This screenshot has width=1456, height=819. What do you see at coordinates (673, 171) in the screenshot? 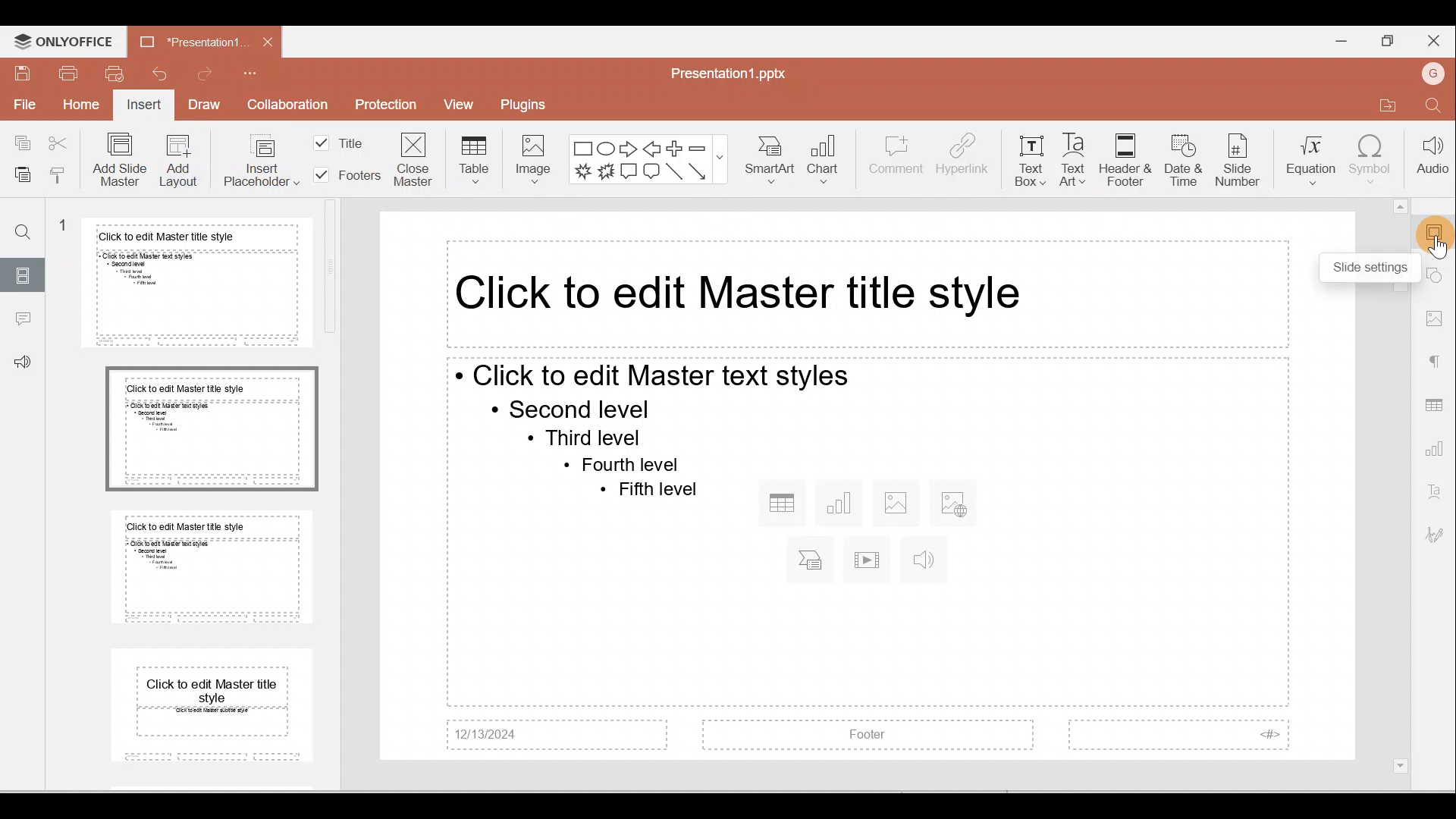
I see `Line` at bounding box center [673, 171].